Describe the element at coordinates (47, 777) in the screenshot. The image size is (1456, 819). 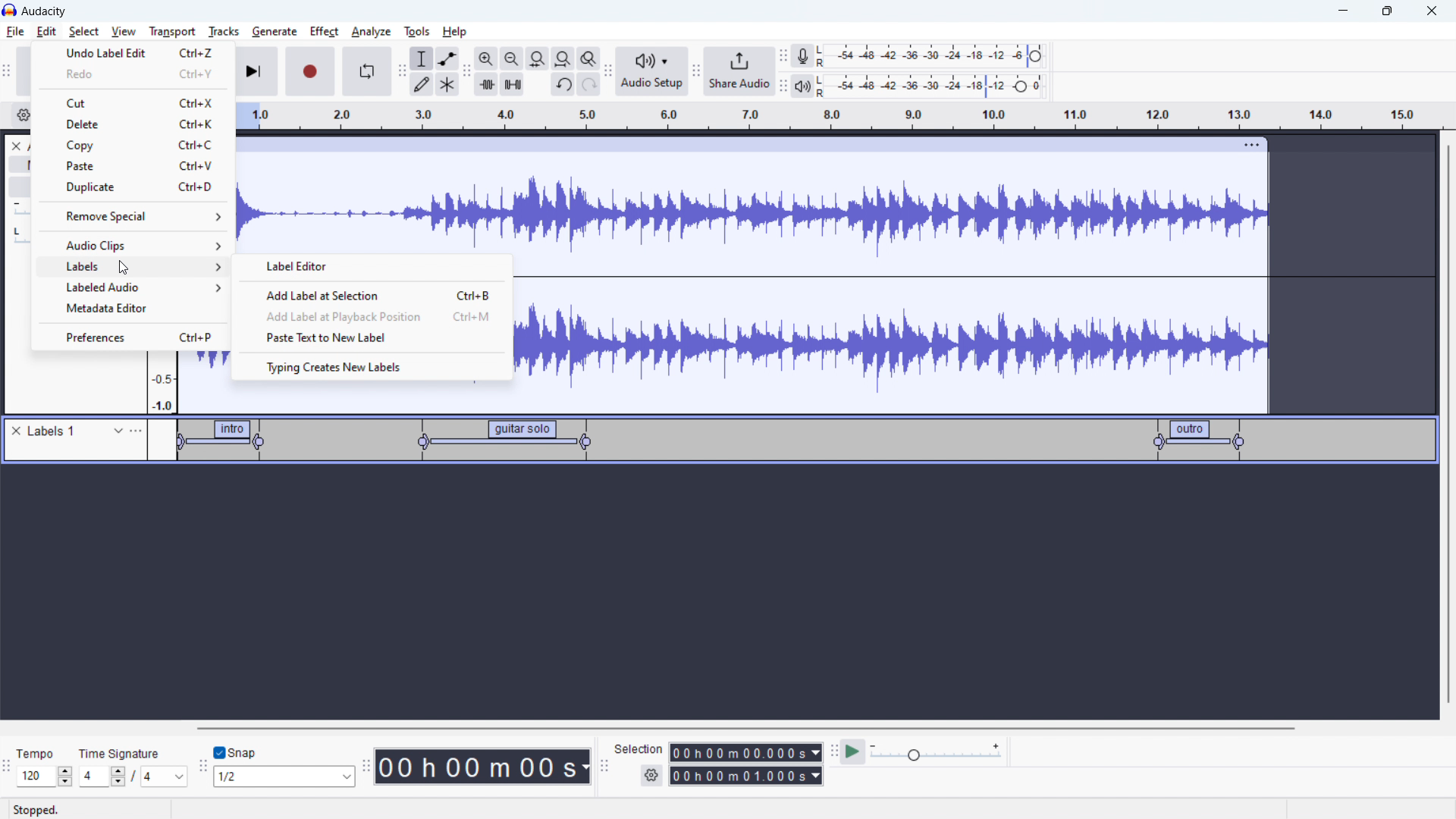
I see `set tempo` at that location.